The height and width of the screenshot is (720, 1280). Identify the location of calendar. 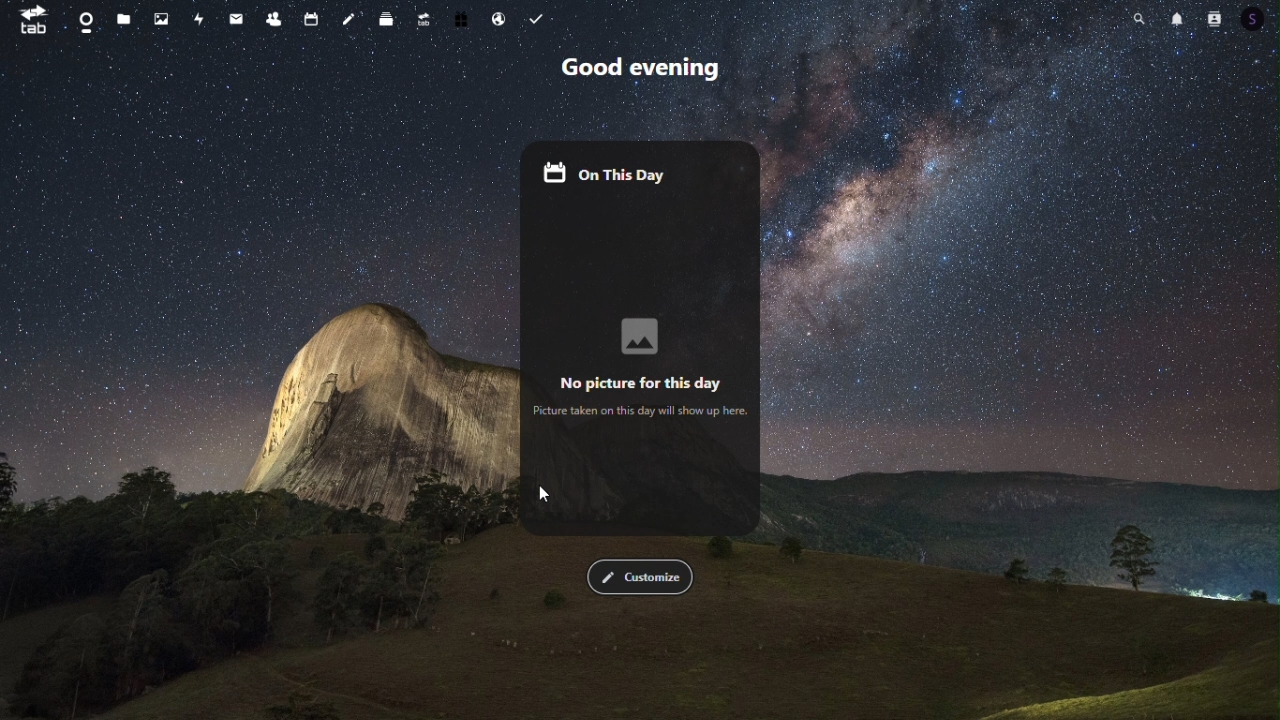
(313, 17).